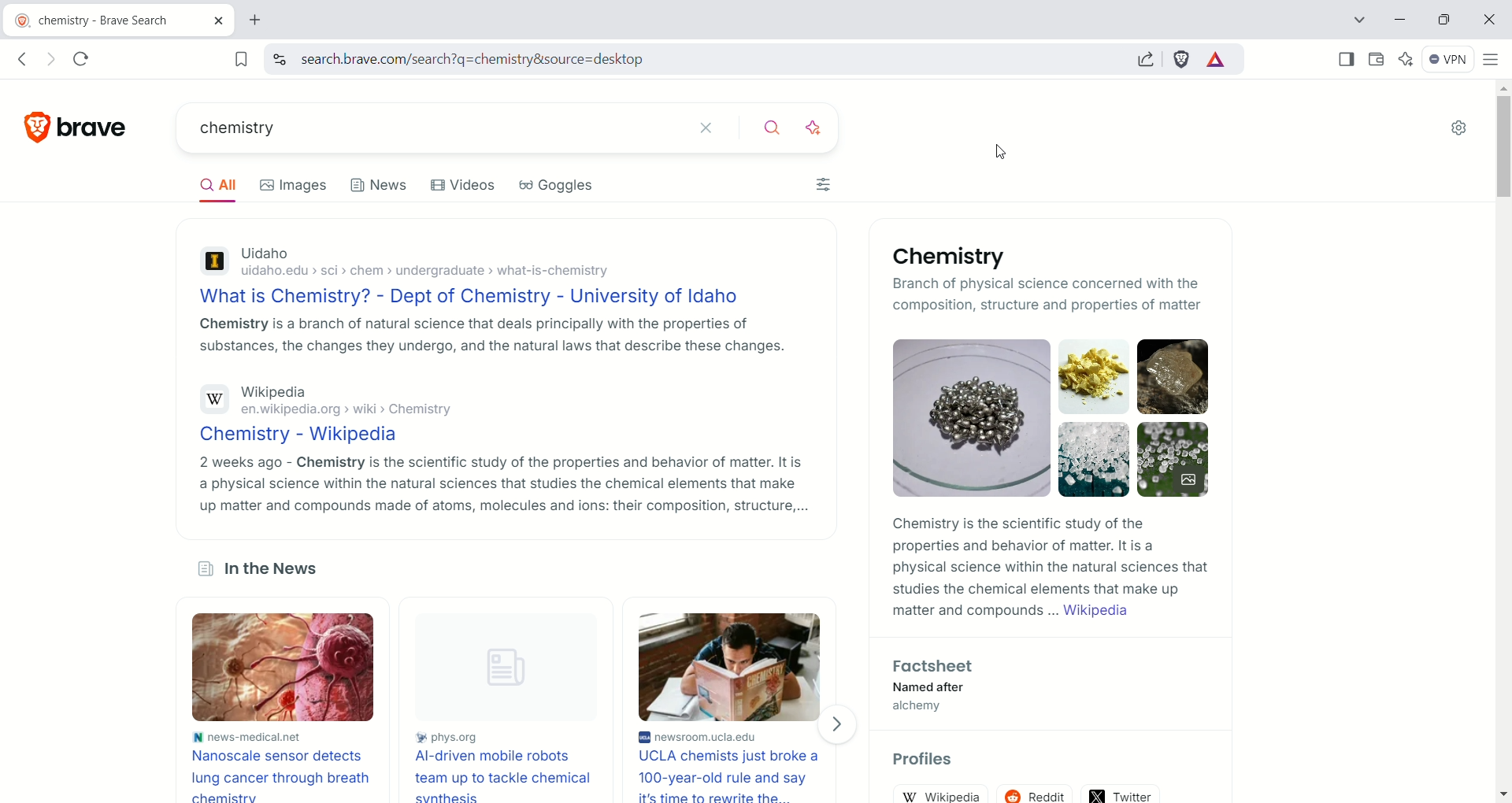 This screenshot has height=803, width=1512. I want to click on restore, so click(1444, 19).